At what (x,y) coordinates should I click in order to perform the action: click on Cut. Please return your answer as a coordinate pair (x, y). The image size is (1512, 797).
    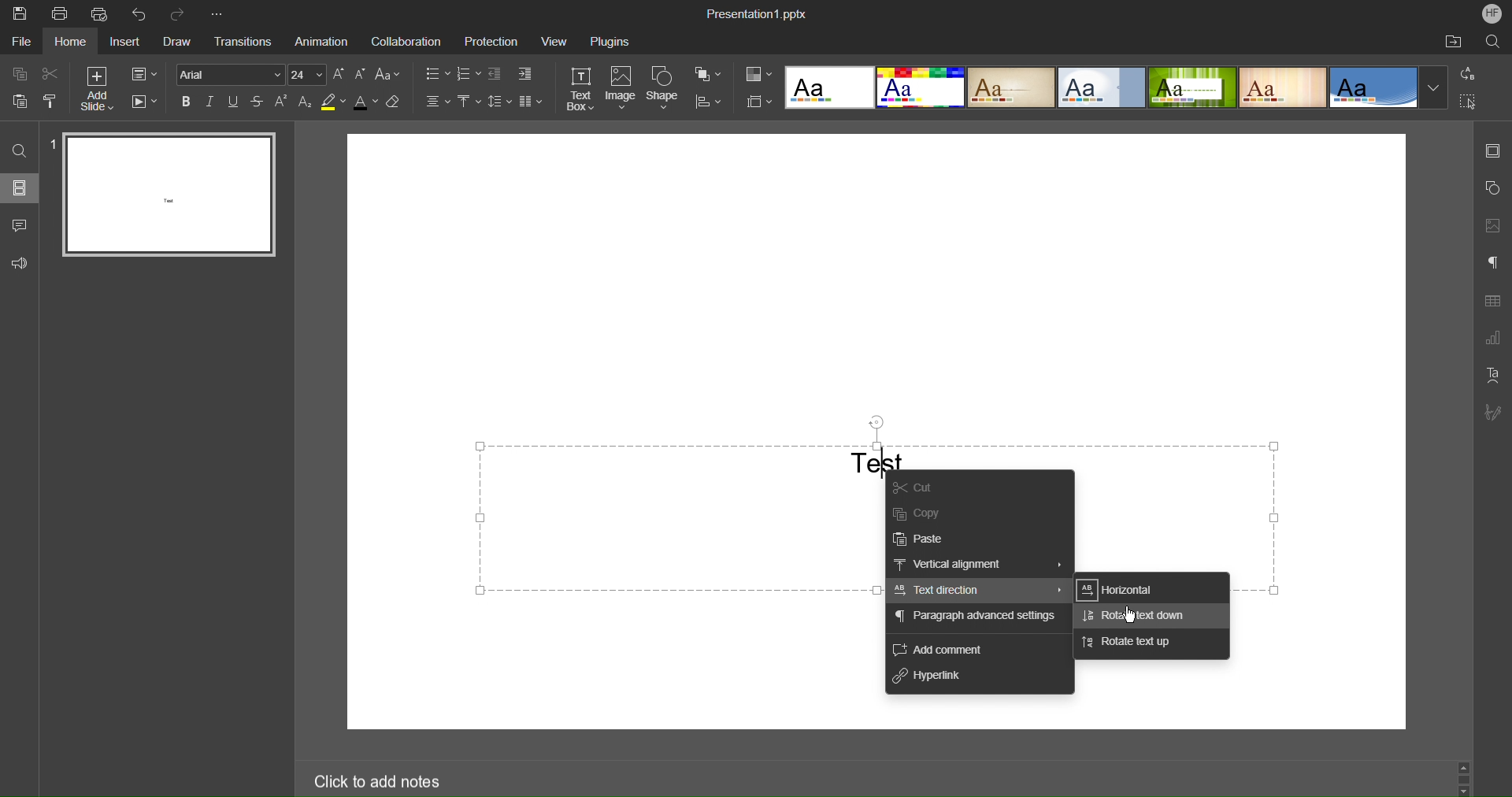
    Looking at the image, I should click on (52, 72).